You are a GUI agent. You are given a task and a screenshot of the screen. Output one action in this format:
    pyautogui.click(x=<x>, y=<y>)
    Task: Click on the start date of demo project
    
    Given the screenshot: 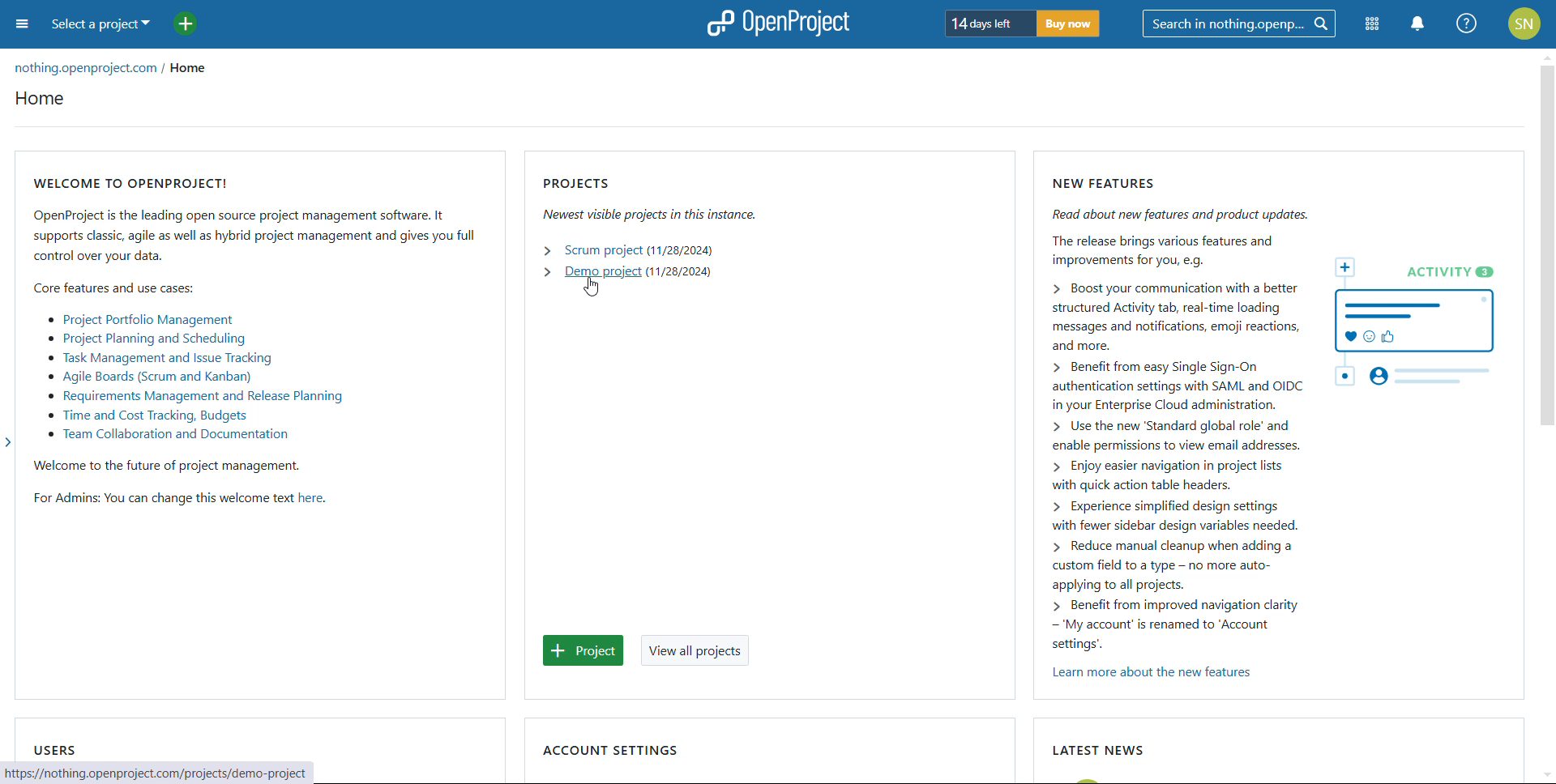 What is the action you would take?
    pyautogui.click(x=679, y=271)
    